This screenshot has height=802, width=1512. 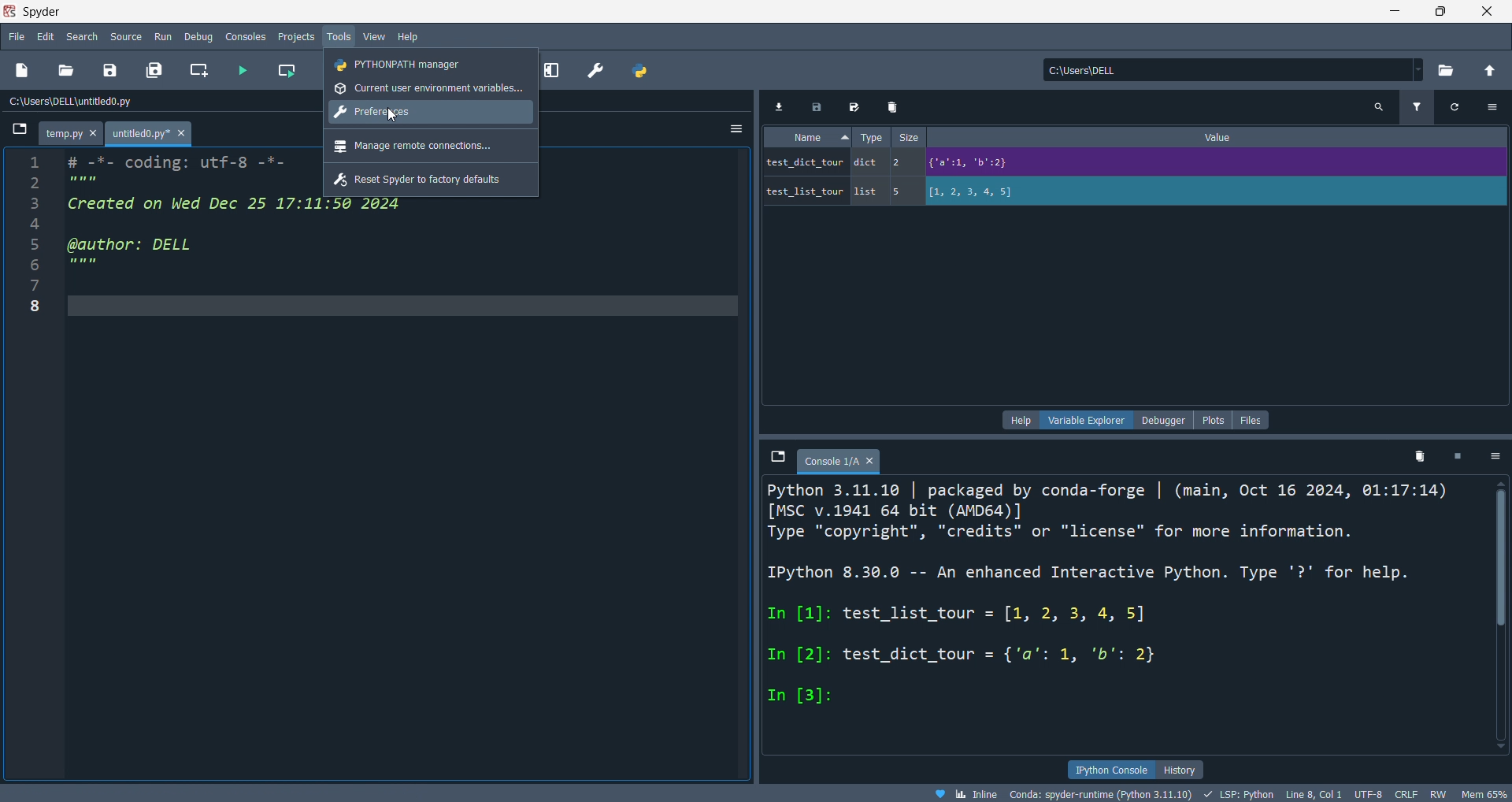 I want to click on save, so click(x=820, y=108).